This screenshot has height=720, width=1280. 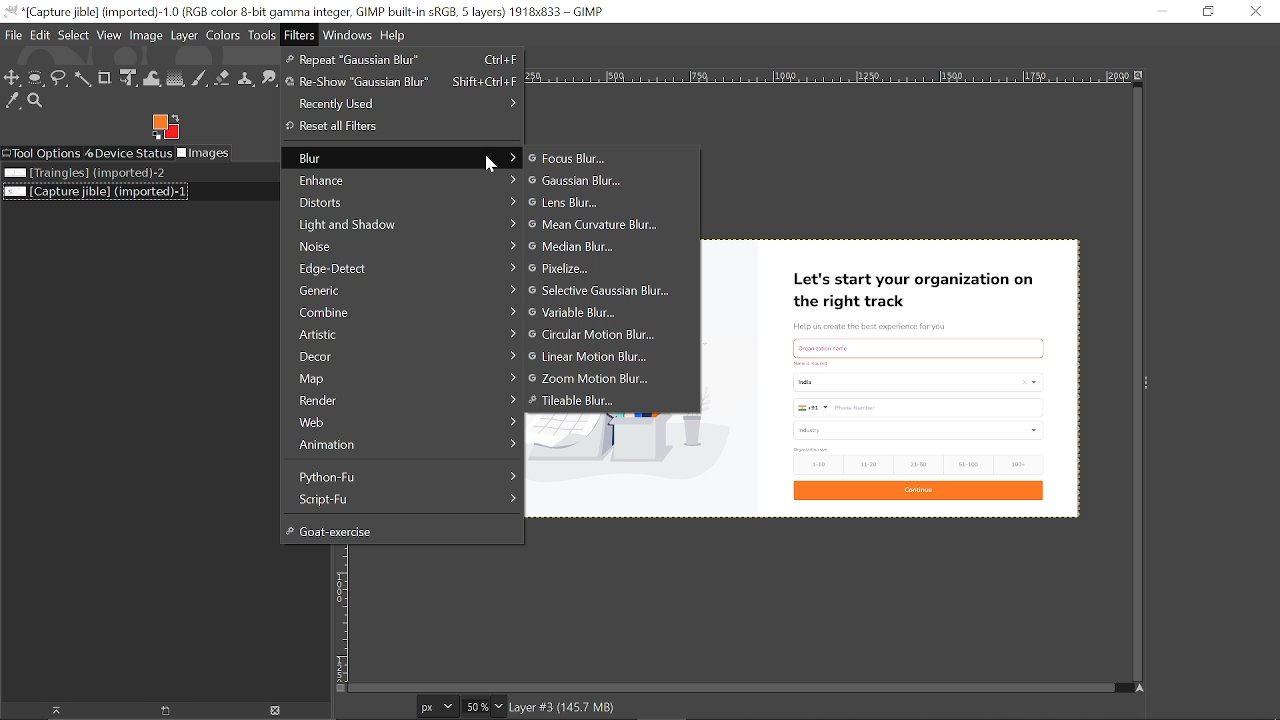 What do you see at coordinates (591, 203) in the screenshot?
I see `Lens Blur` at bounding box center [591, 203].